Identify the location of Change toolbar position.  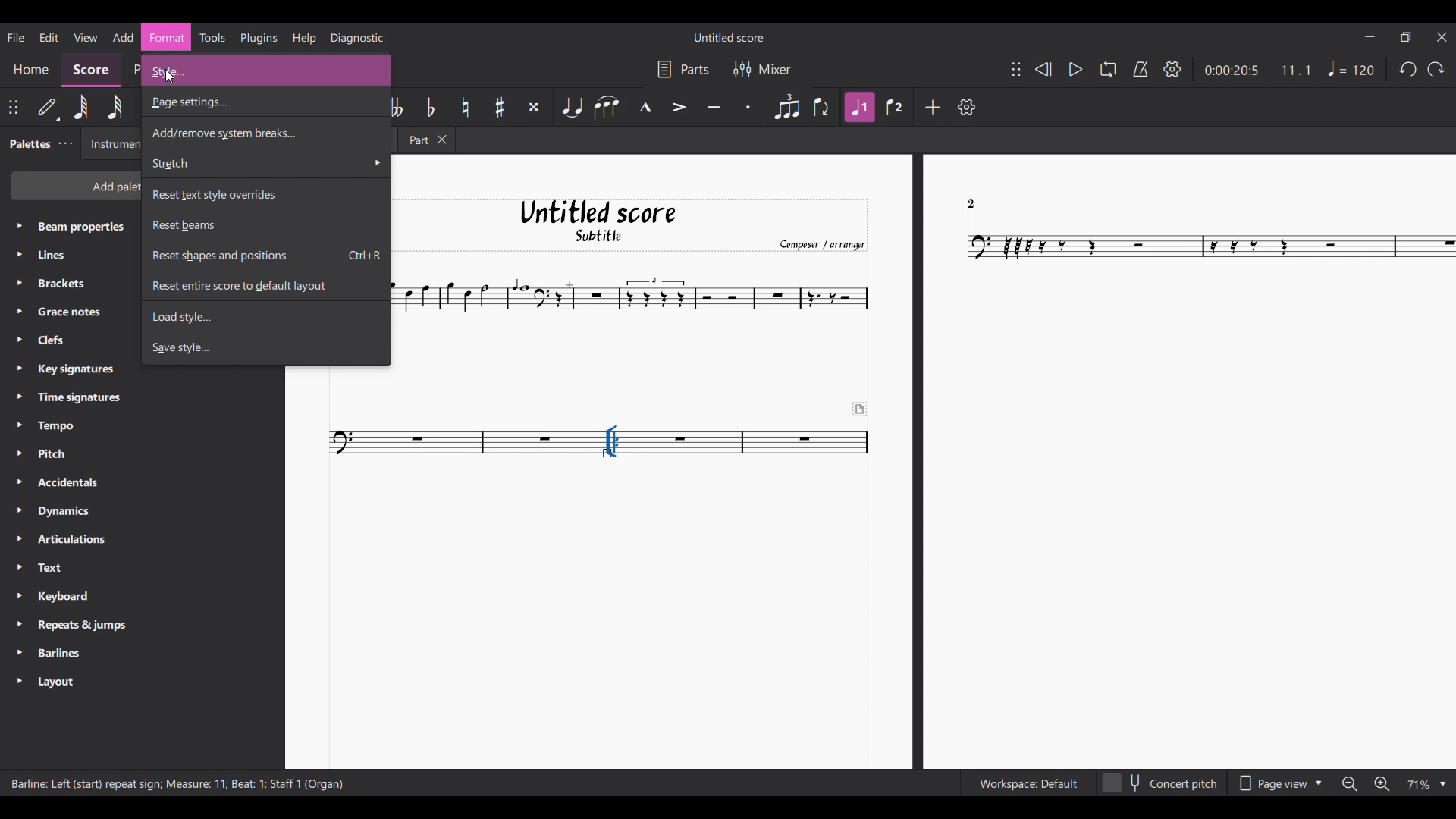
(14, 108).